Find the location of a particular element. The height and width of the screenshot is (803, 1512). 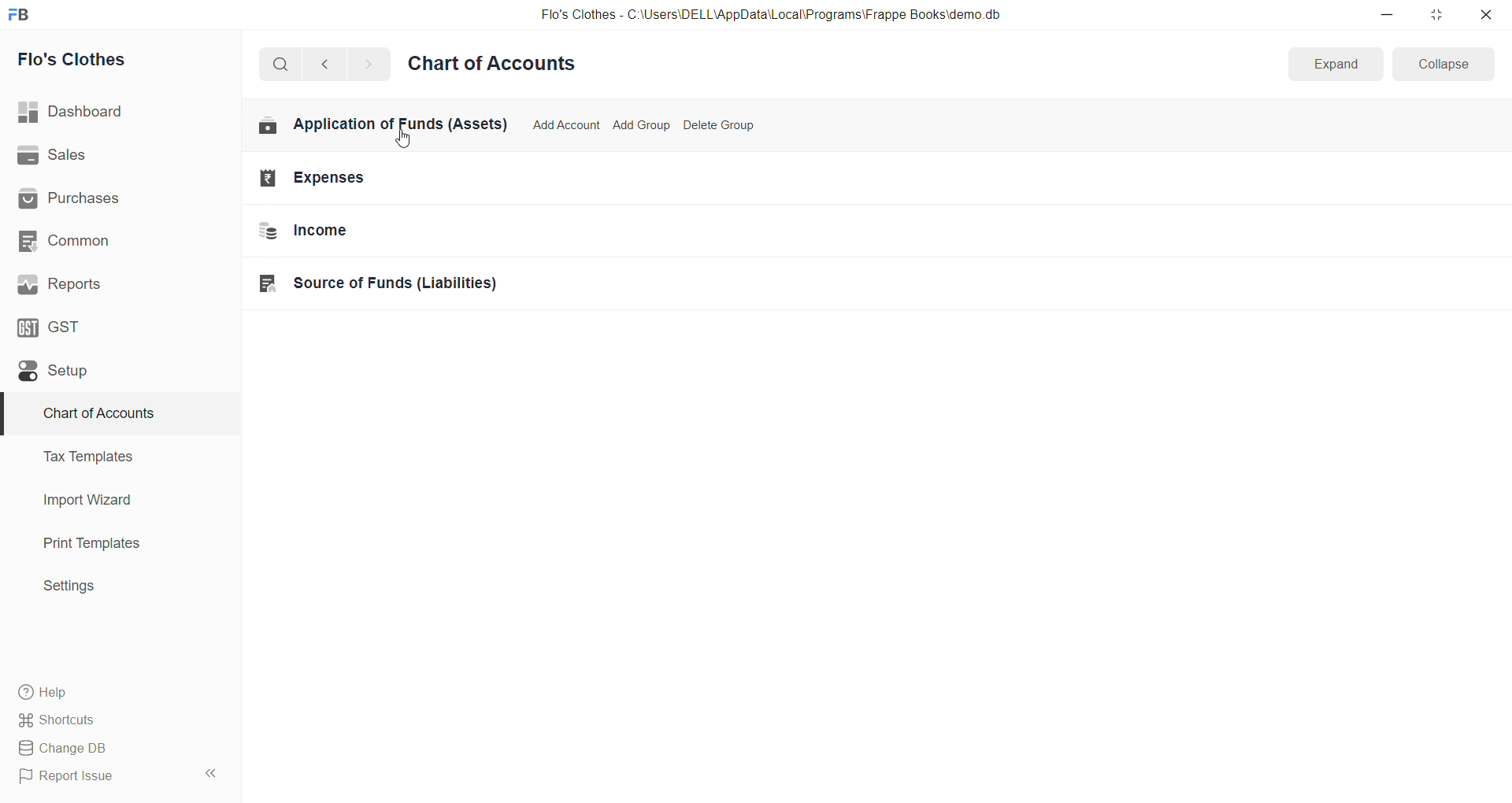

Flo's Clothes - C:\Users\DELL\AppData\Local\Programs\Frappe Books\demo.db is located at coordinates (771, 15).